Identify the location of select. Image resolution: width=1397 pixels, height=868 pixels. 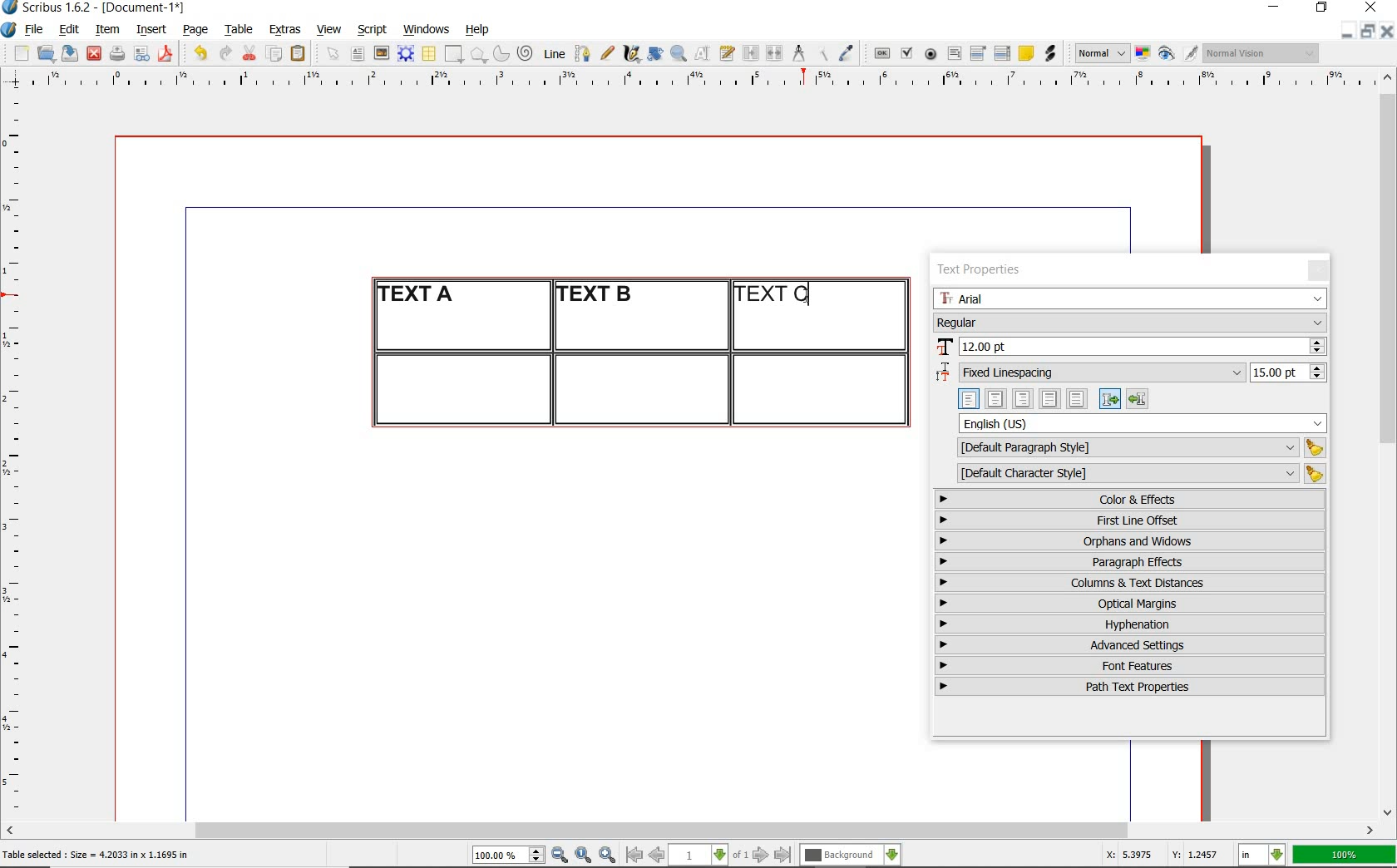
(334, 55).